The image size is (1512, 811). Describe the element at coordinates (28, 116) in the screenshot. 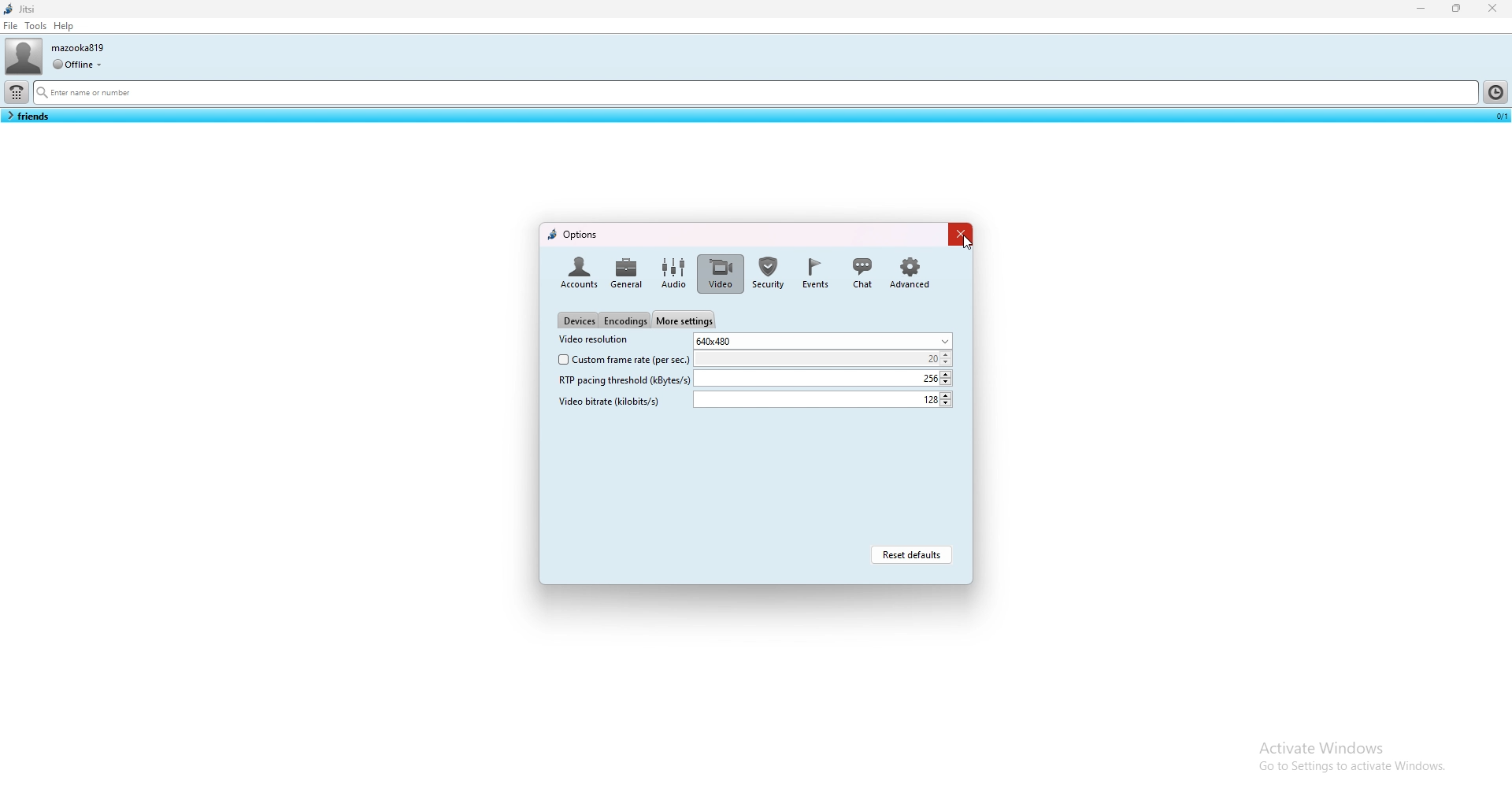

I see `contact list` at that location.